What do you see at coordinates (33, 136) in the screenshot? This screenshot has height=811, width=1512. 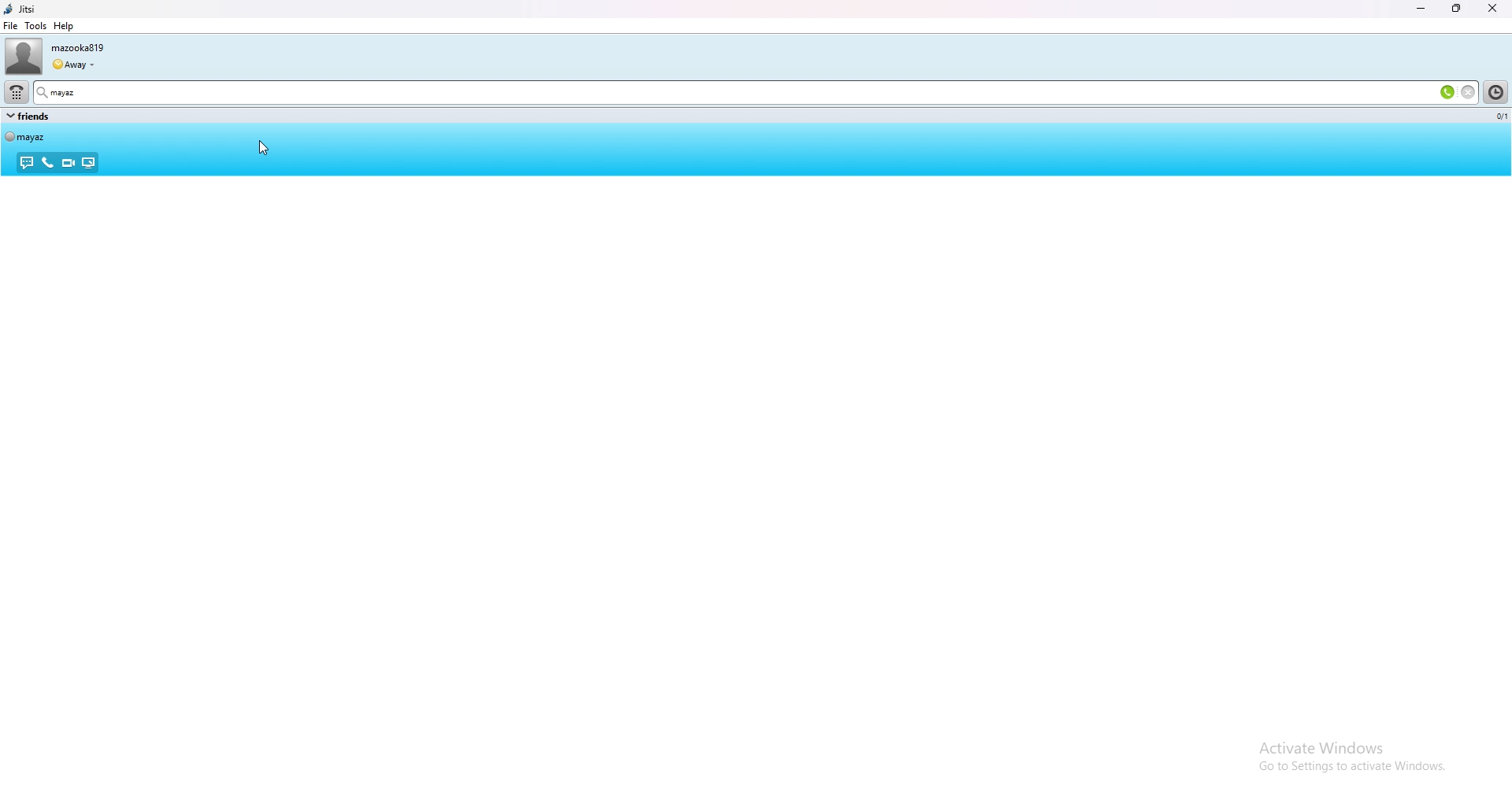 I see `mayaz` at bounding box center [33, 136].